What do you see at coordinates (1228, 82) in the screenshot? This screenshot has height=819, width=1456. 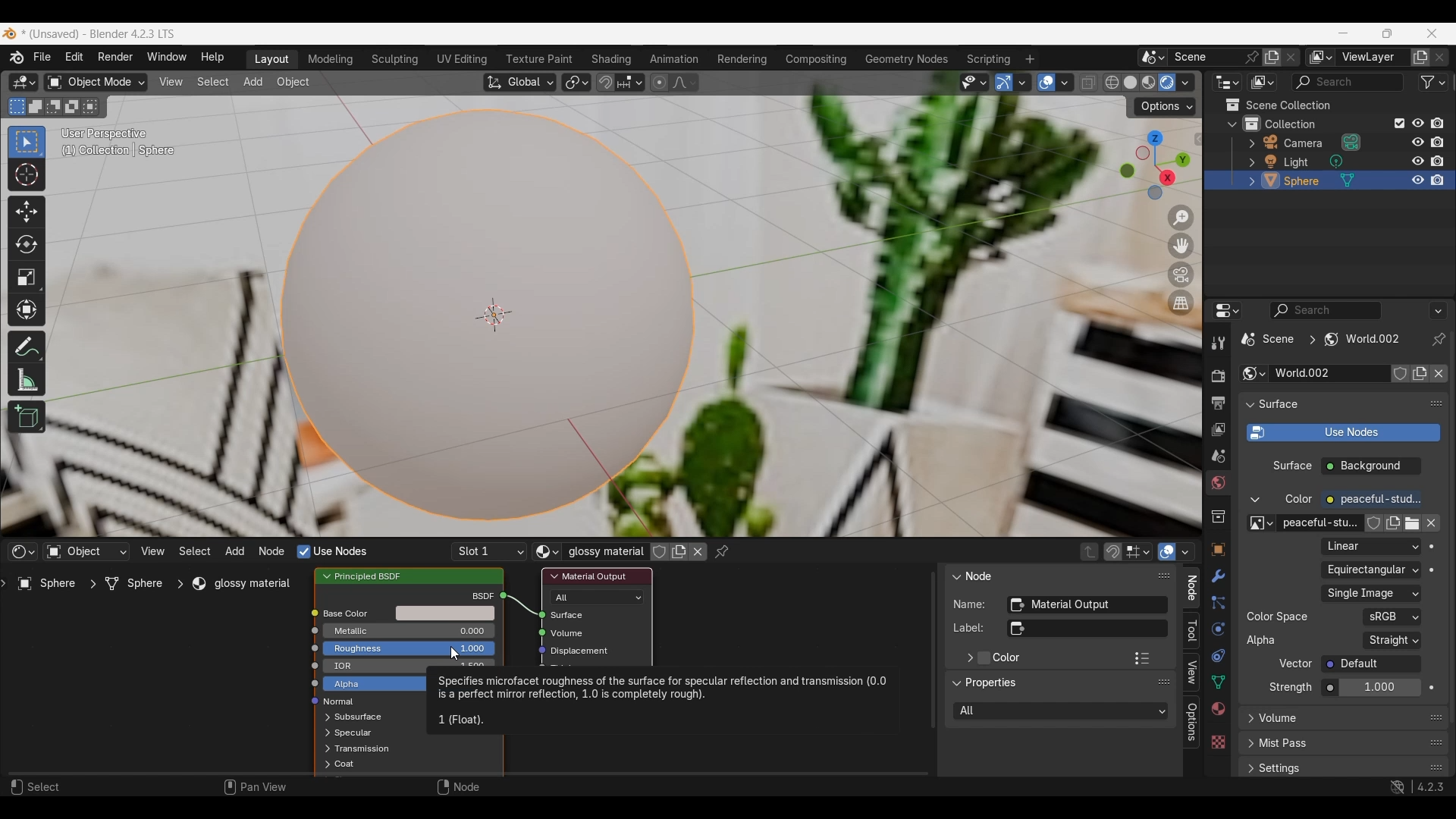 I see `Editor type` at bounding box center [1228, 82].